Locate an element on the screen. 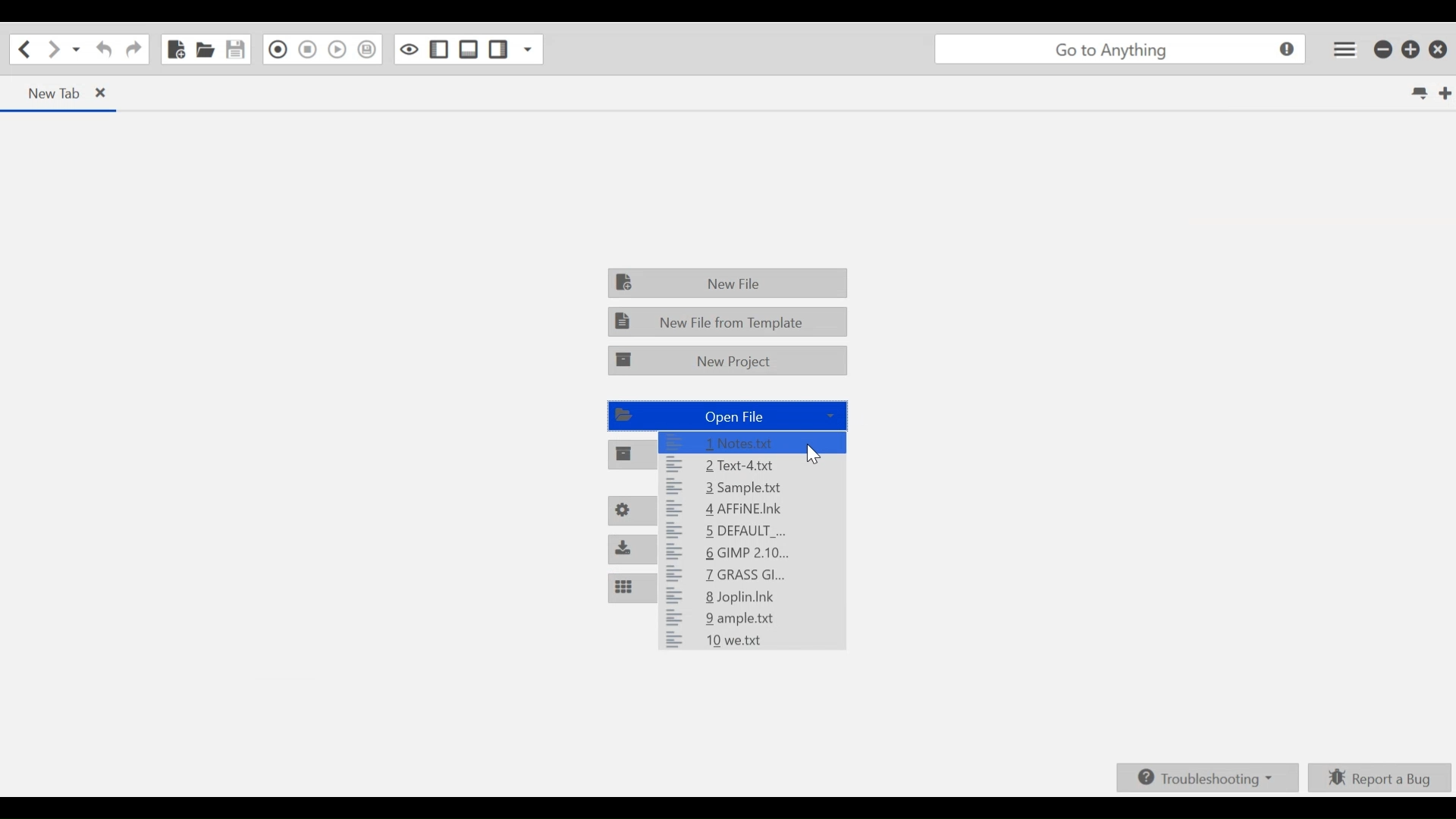  Open file is located at coordinates (206, 49).